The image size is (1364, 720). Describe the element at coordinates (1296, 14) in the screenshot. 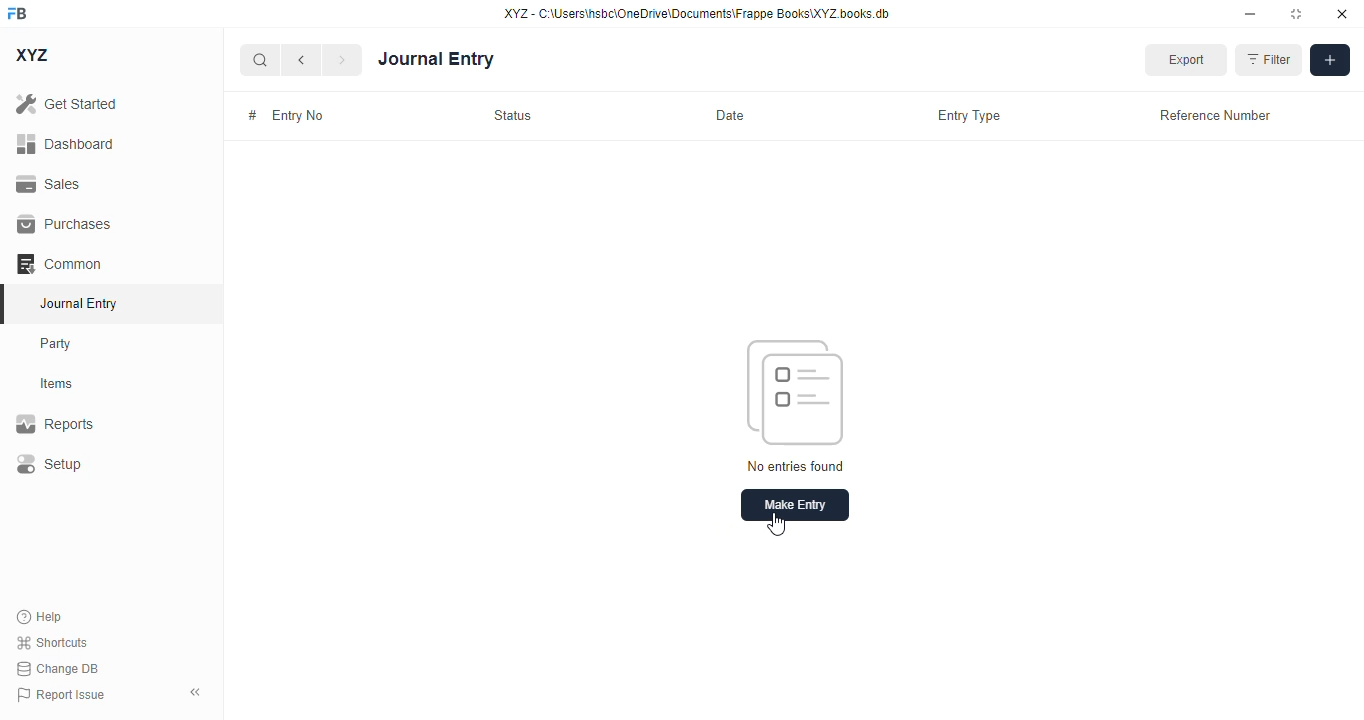

I see `toggle maximize` at that location.